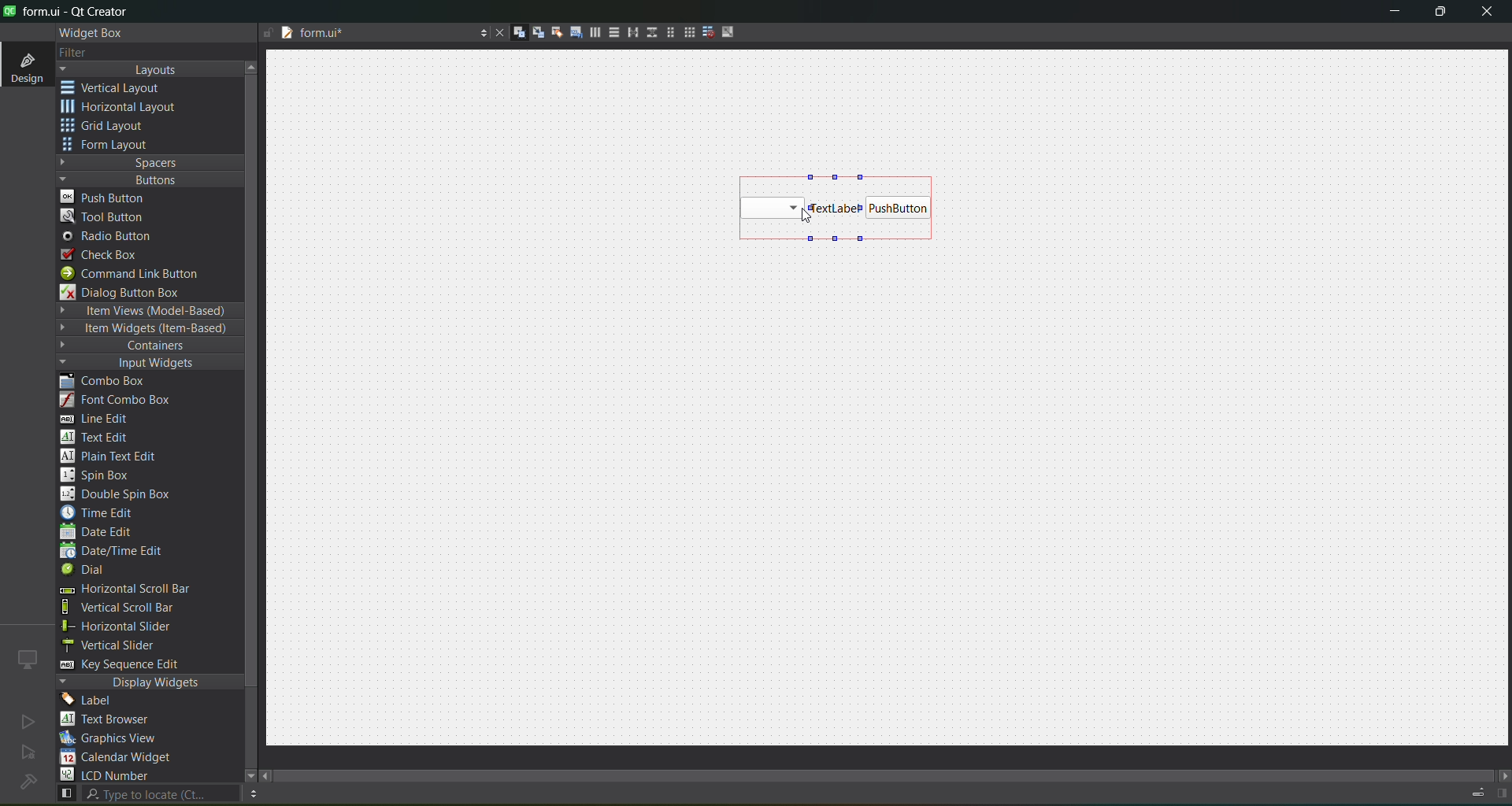  What do you see at coordinates (102, 512) in the screenshot?
I see `time edit` at bounding box center [102, 512].